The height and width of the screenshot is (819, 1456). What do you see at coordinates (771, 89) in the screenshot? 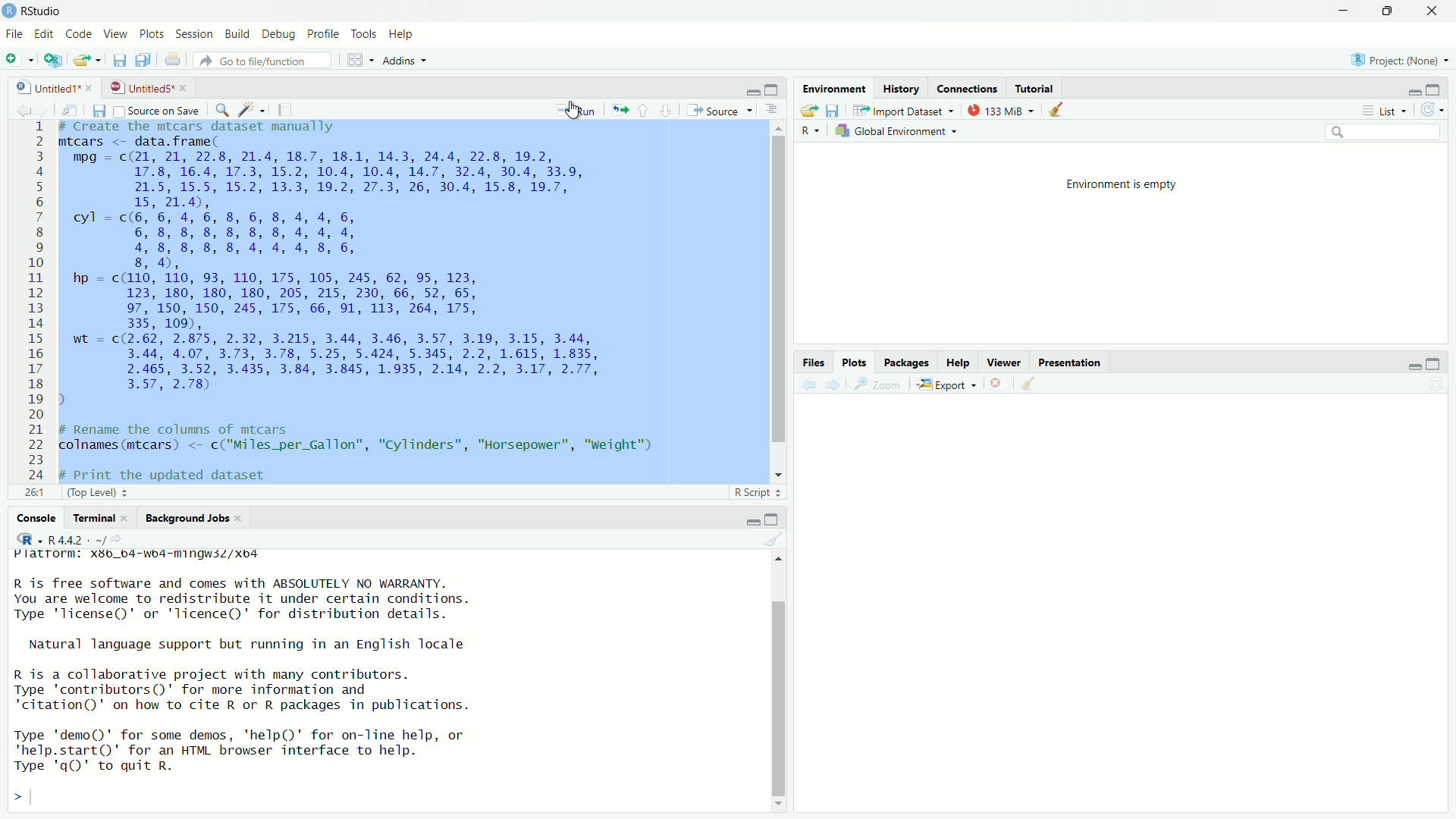
I see `maximise` at bounding box center [771, 89].